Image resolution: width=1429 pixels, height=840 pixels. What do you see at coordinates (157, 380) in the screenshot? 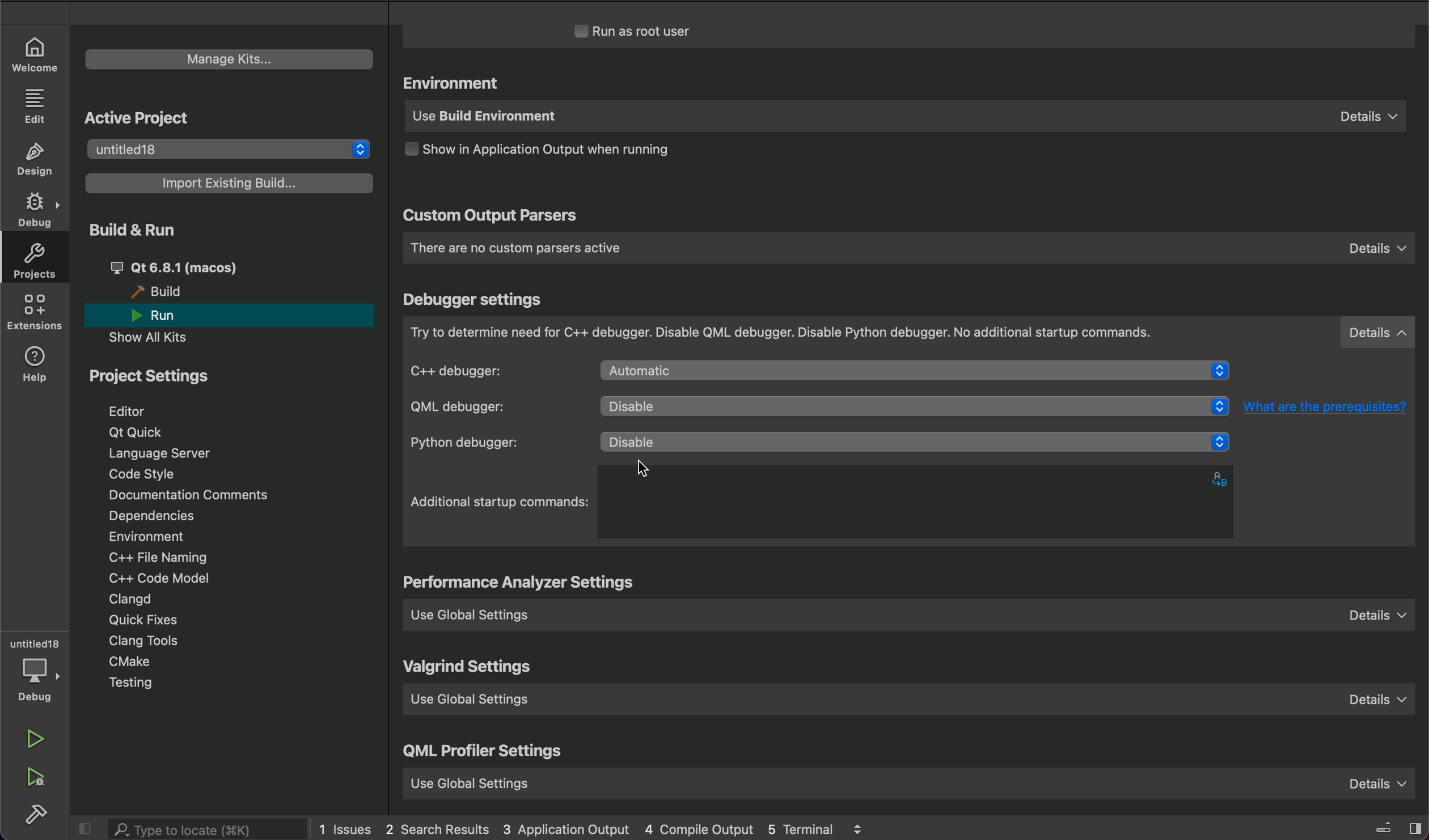
I see `project` at bounding box center [157, 380].